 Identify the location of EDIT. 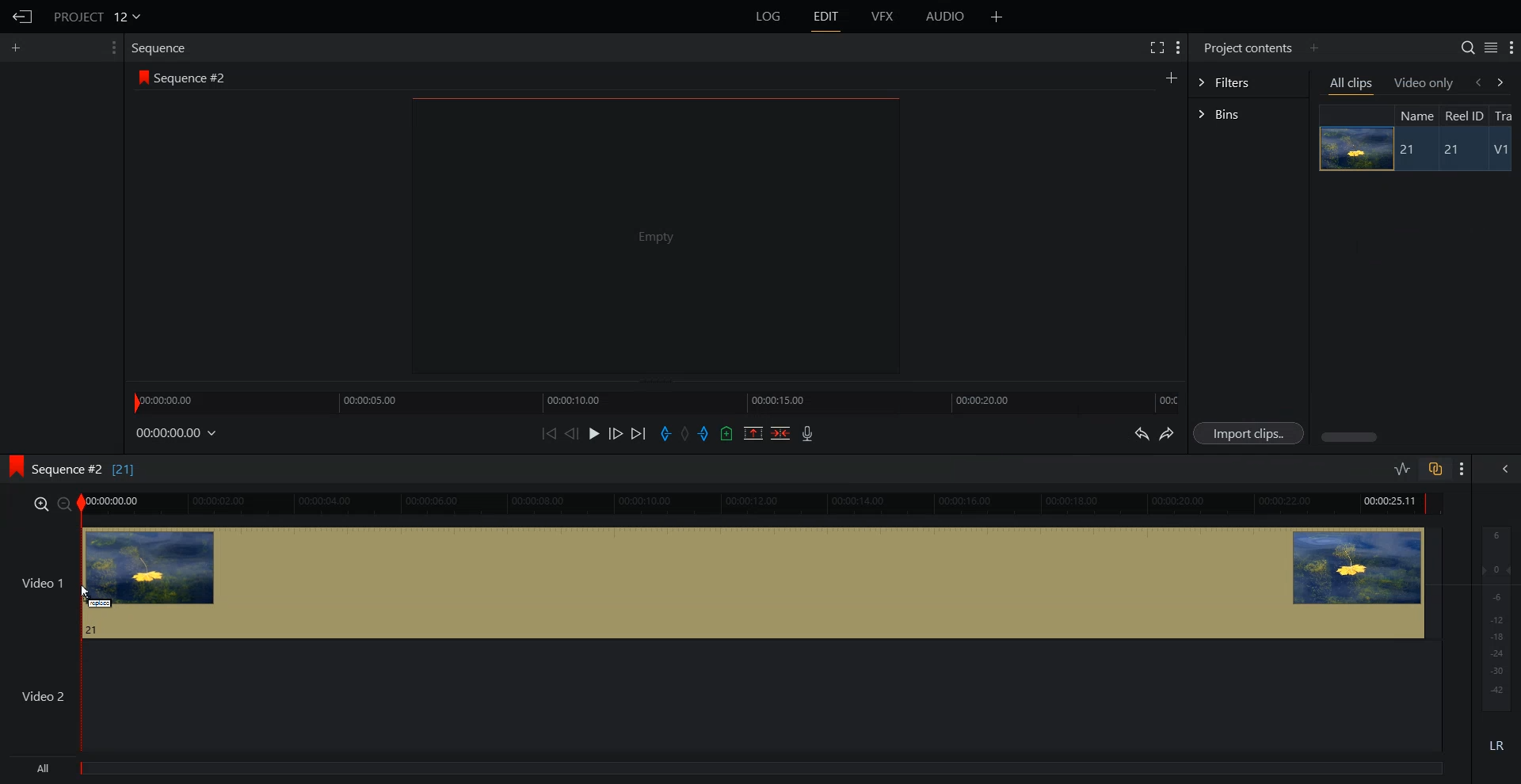
(825, 17).